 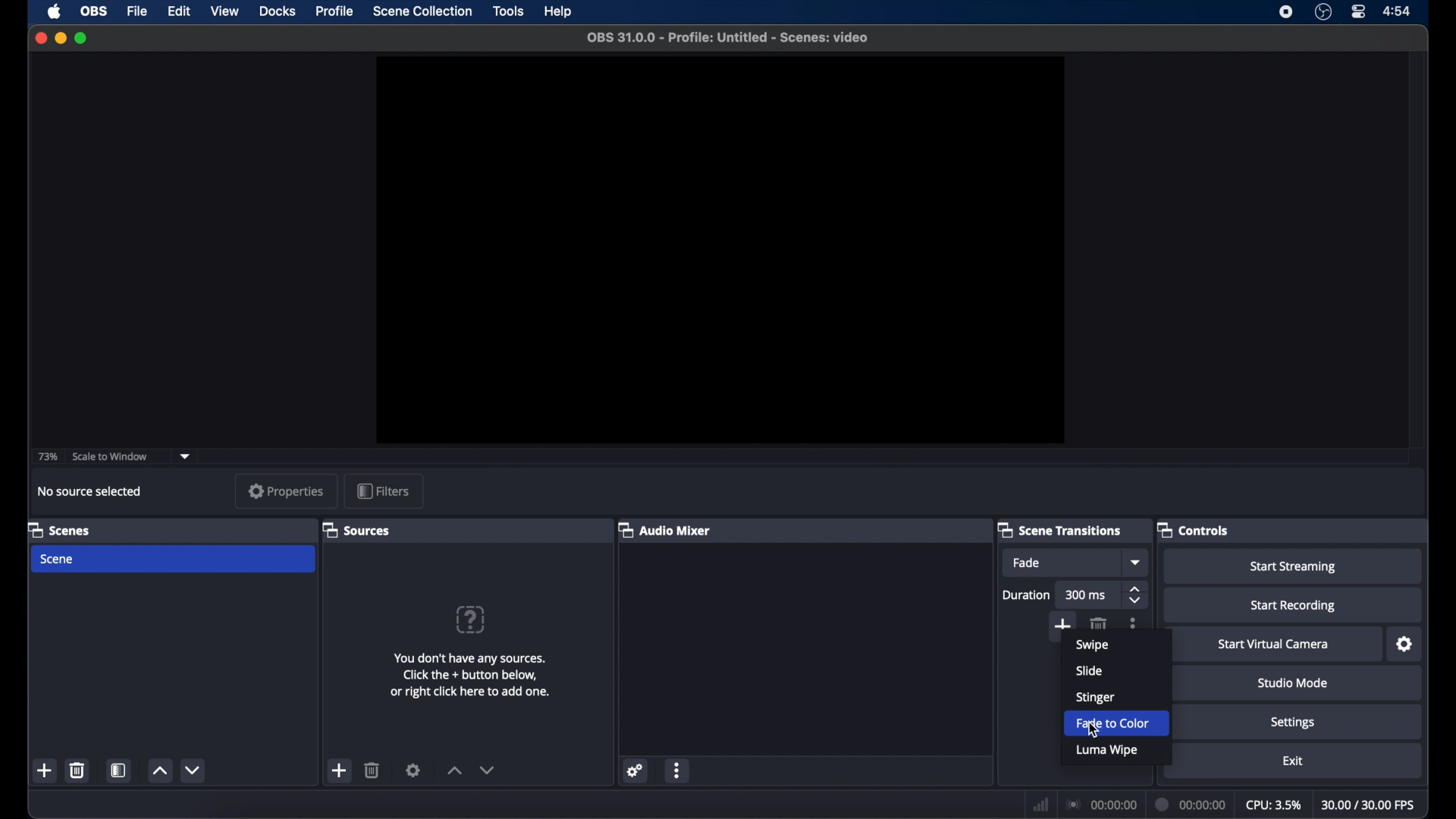 I want to click on scene transitions, so click(x=1059, y=529).